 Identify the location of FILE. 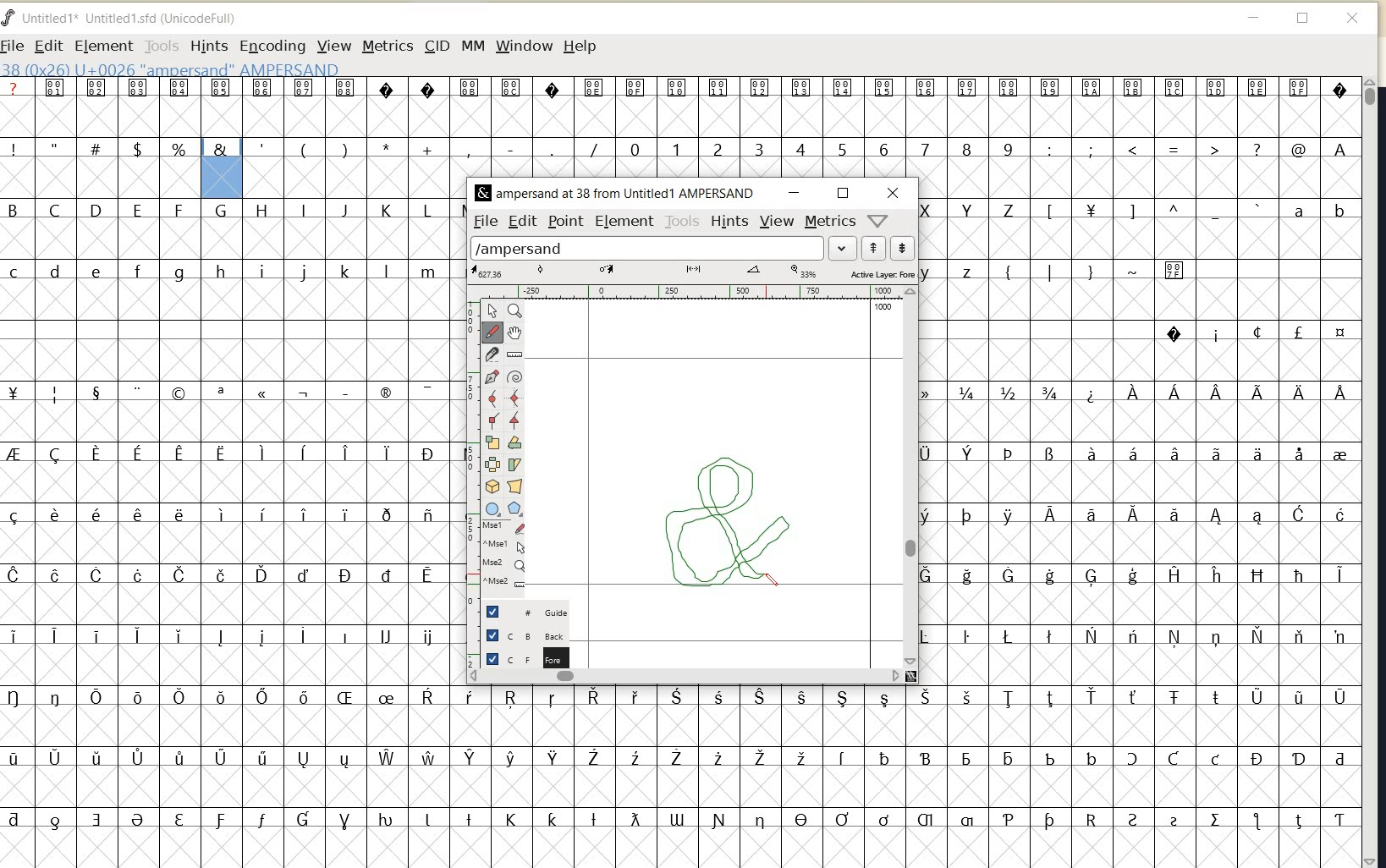
(486, 220).